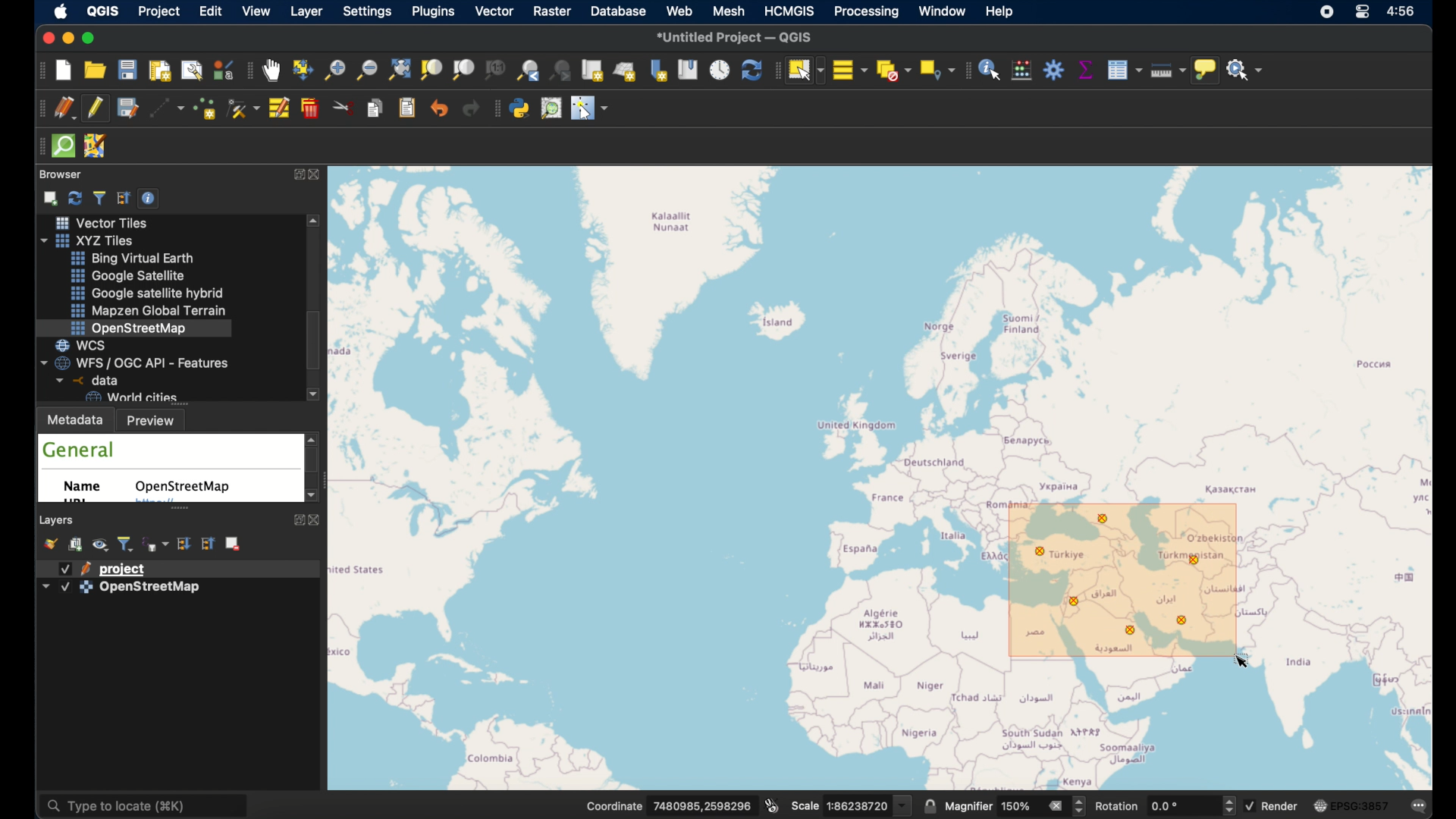 The width and height of the screenshot is (1456, 819). I want to click on plugins toolbar, so click(494, 110).